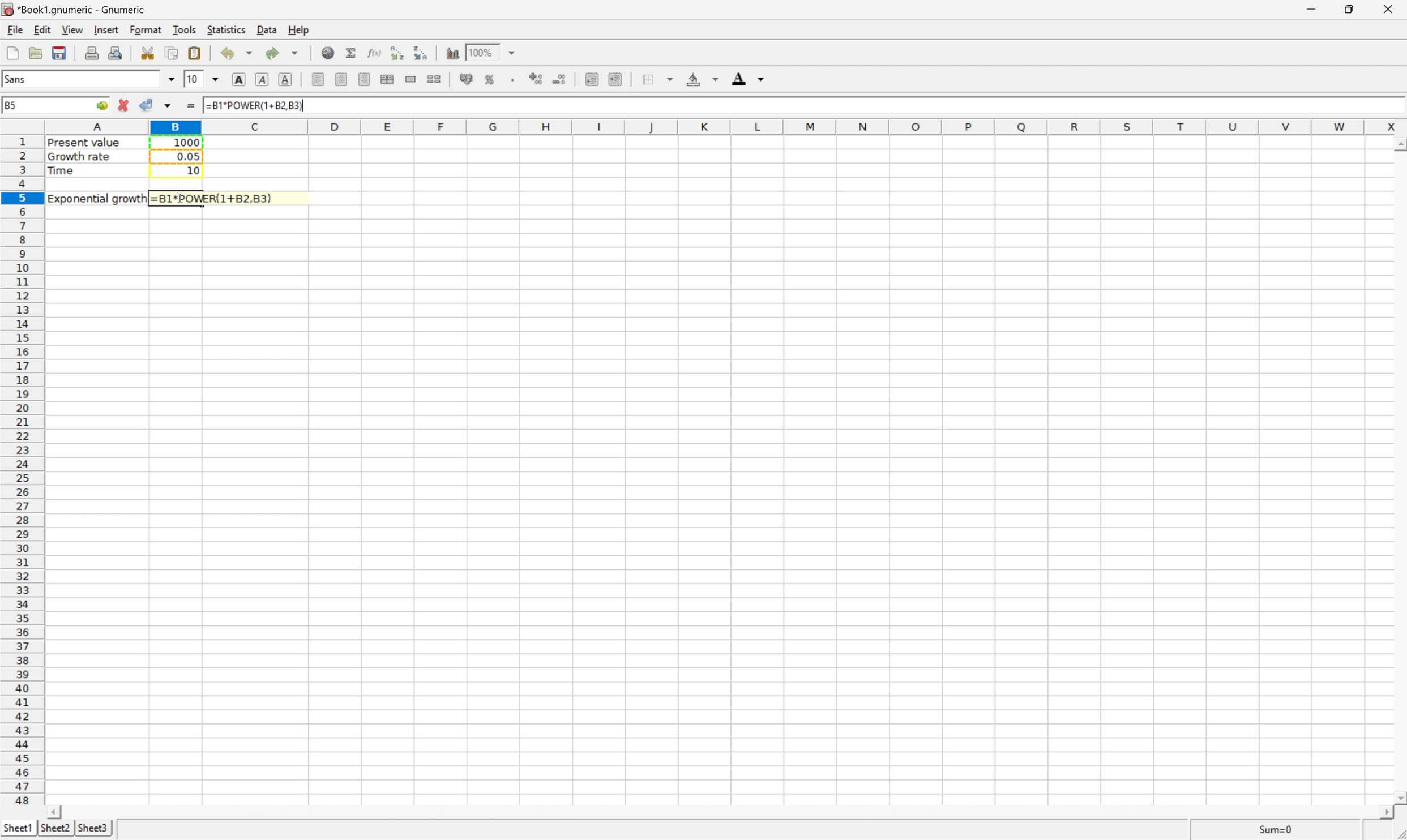 The image size is (1407, 840). I want to click on Exponential growth, so click(100, 198).